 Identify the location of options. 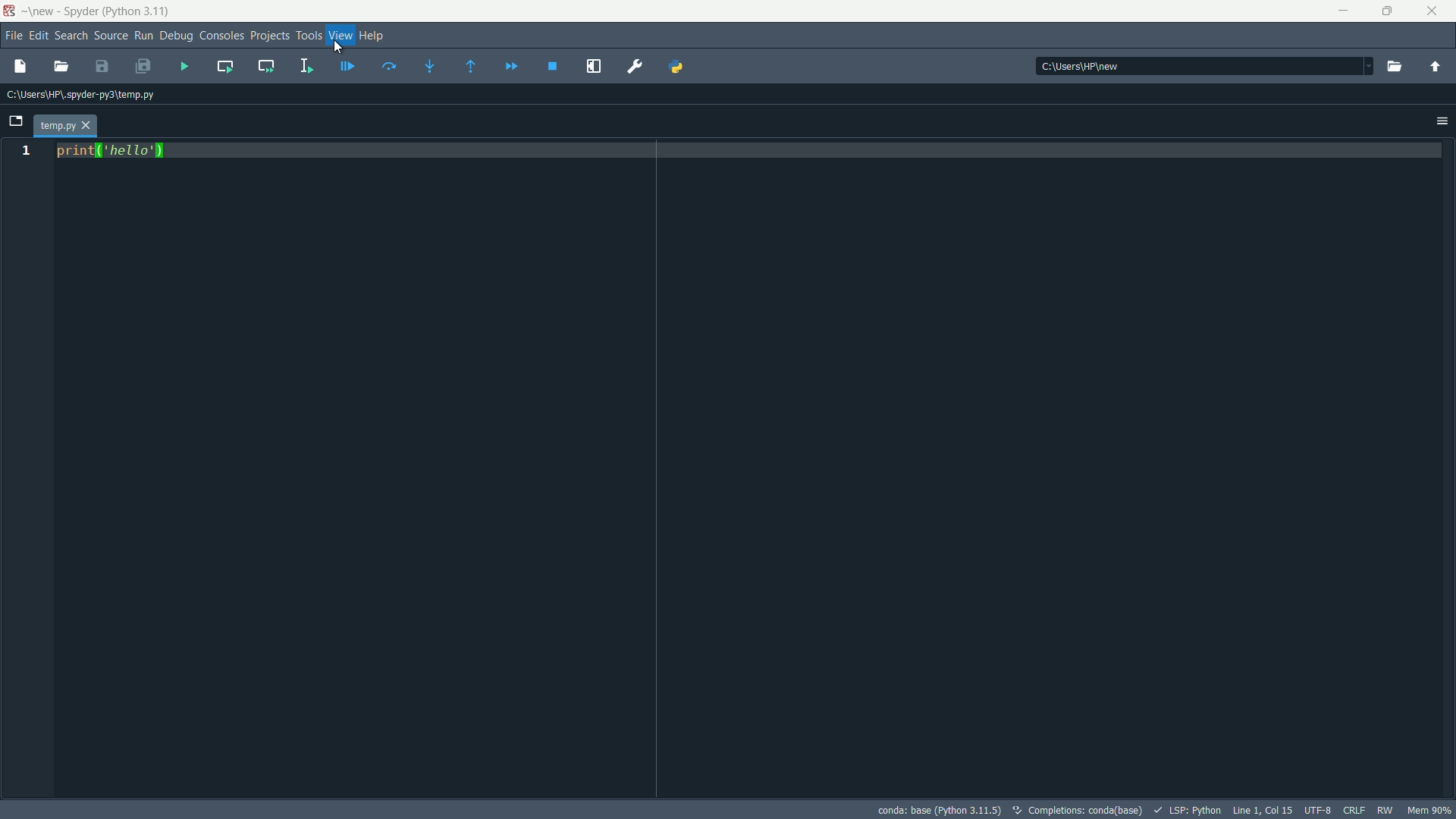
(1442, 121).